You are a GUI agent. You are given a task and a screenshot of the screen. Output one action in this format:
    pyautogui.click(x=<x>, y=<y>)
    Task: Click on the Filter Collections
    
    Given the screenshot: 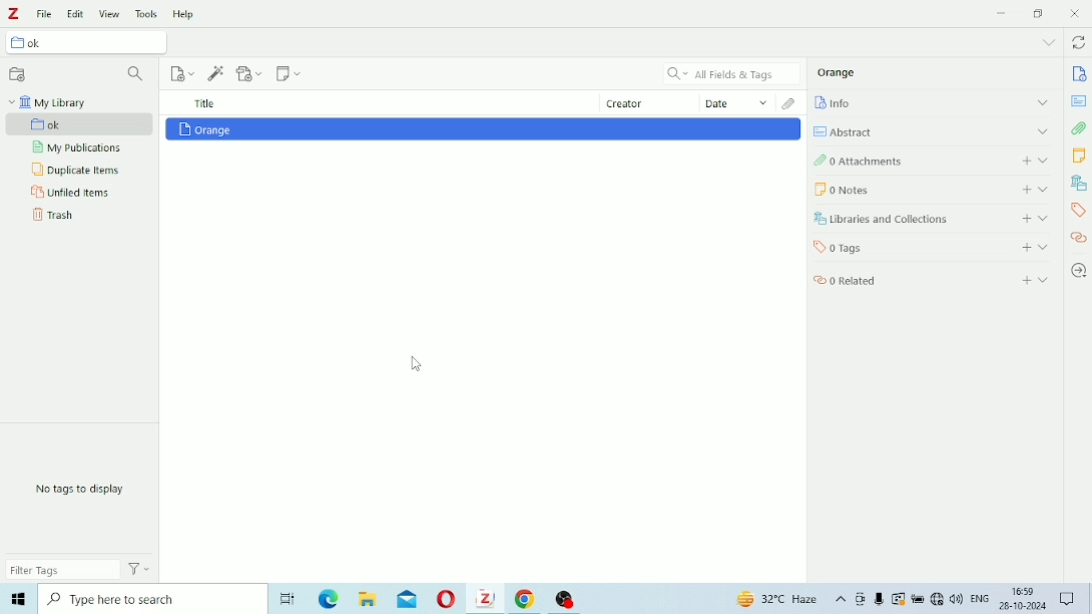 What is the action you would take?
    pyautogui.click(x=137, y=75)
    